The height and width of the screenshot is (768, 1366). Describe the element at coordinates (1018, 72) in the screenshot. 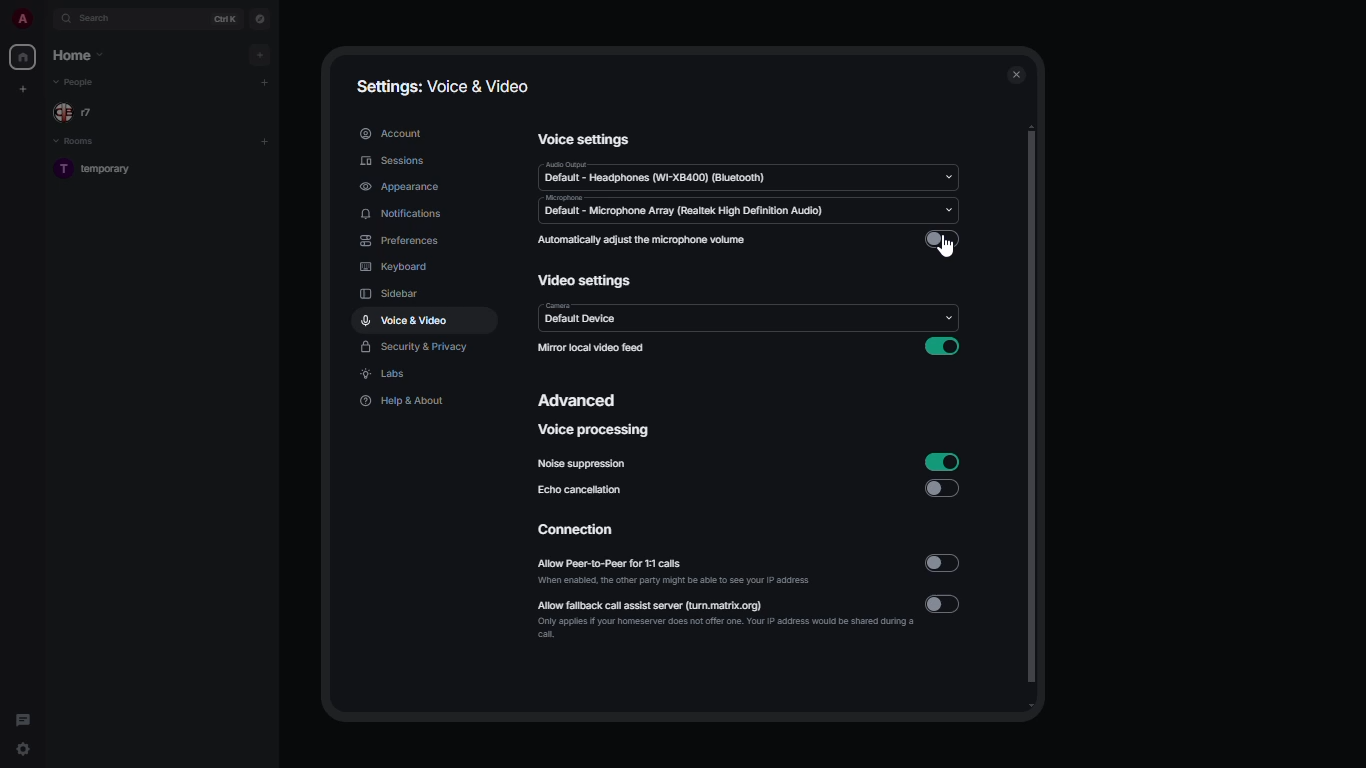

I see `close` at that location.